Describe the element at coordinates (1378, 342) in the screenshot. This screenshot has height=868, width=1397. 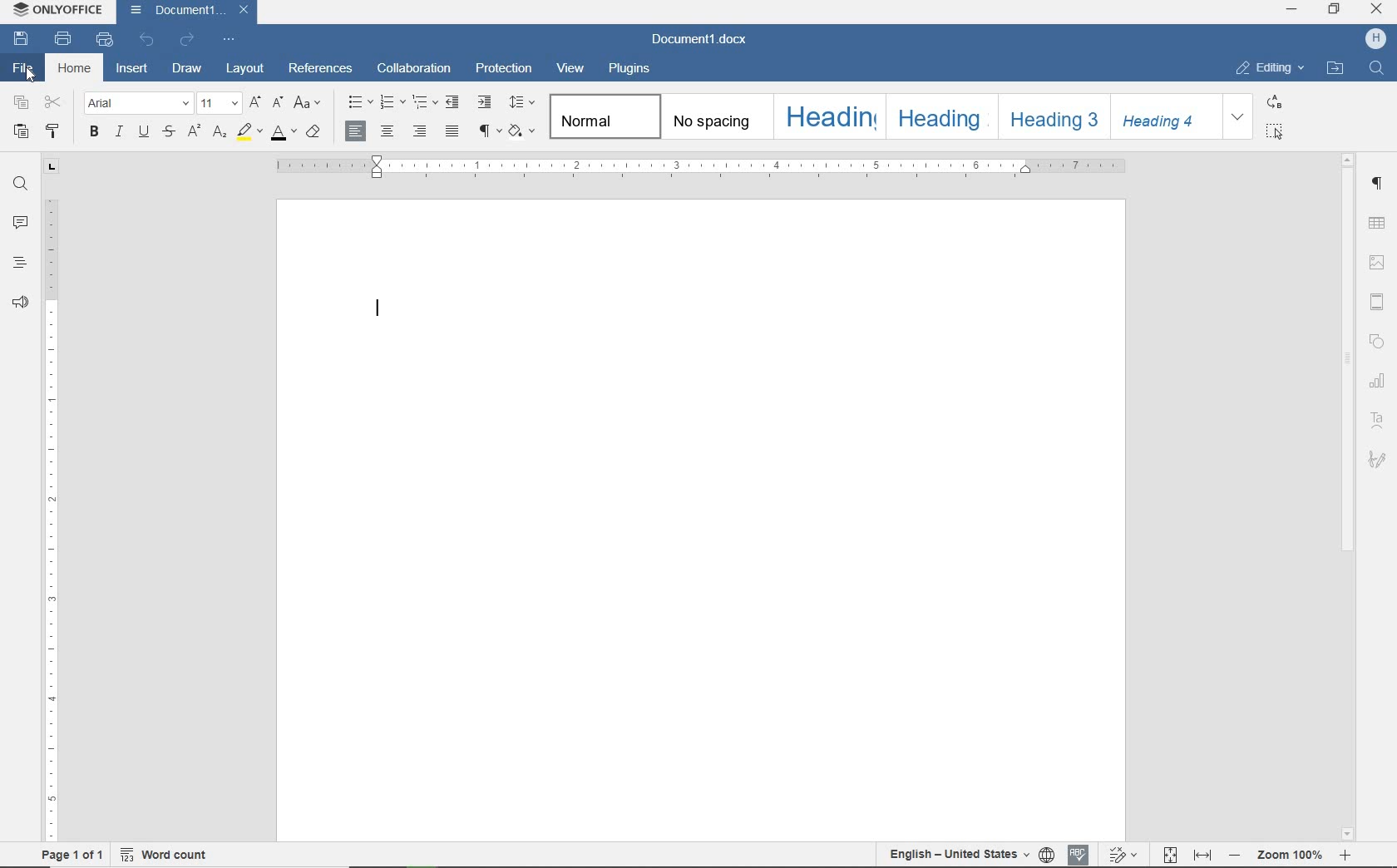
I see `shape` at that location.